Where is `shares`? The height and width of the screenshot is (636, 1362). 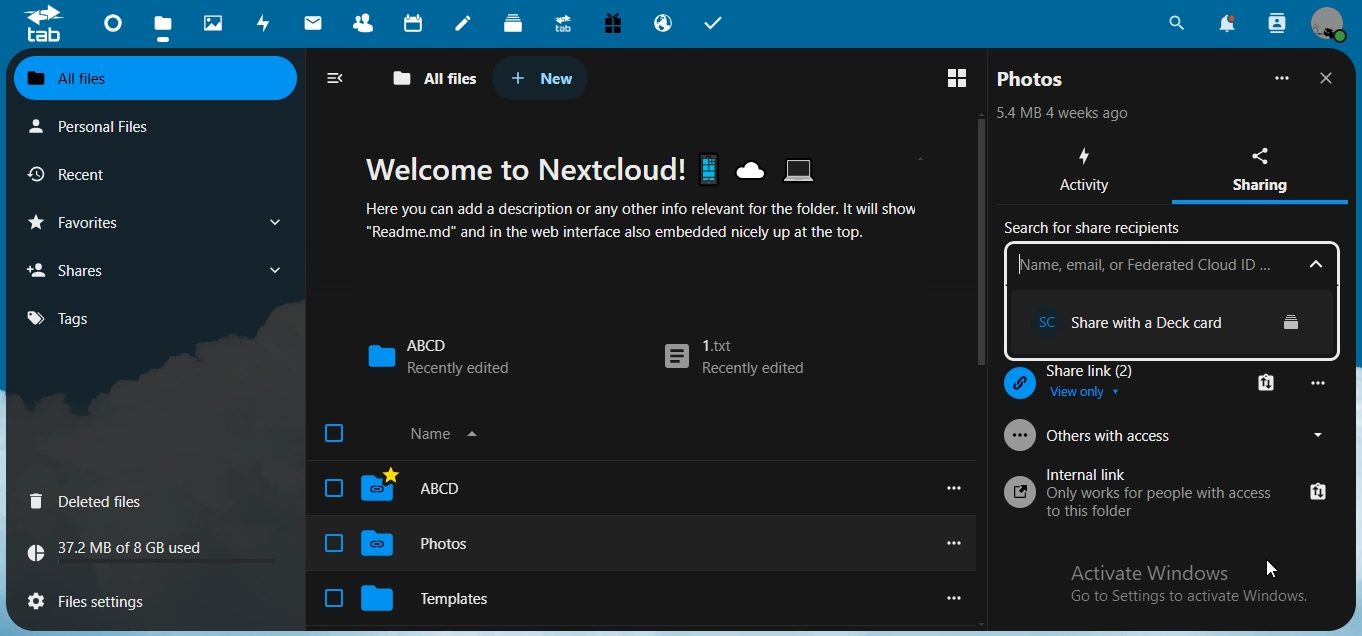
shares is located at coordinates (94, 269).